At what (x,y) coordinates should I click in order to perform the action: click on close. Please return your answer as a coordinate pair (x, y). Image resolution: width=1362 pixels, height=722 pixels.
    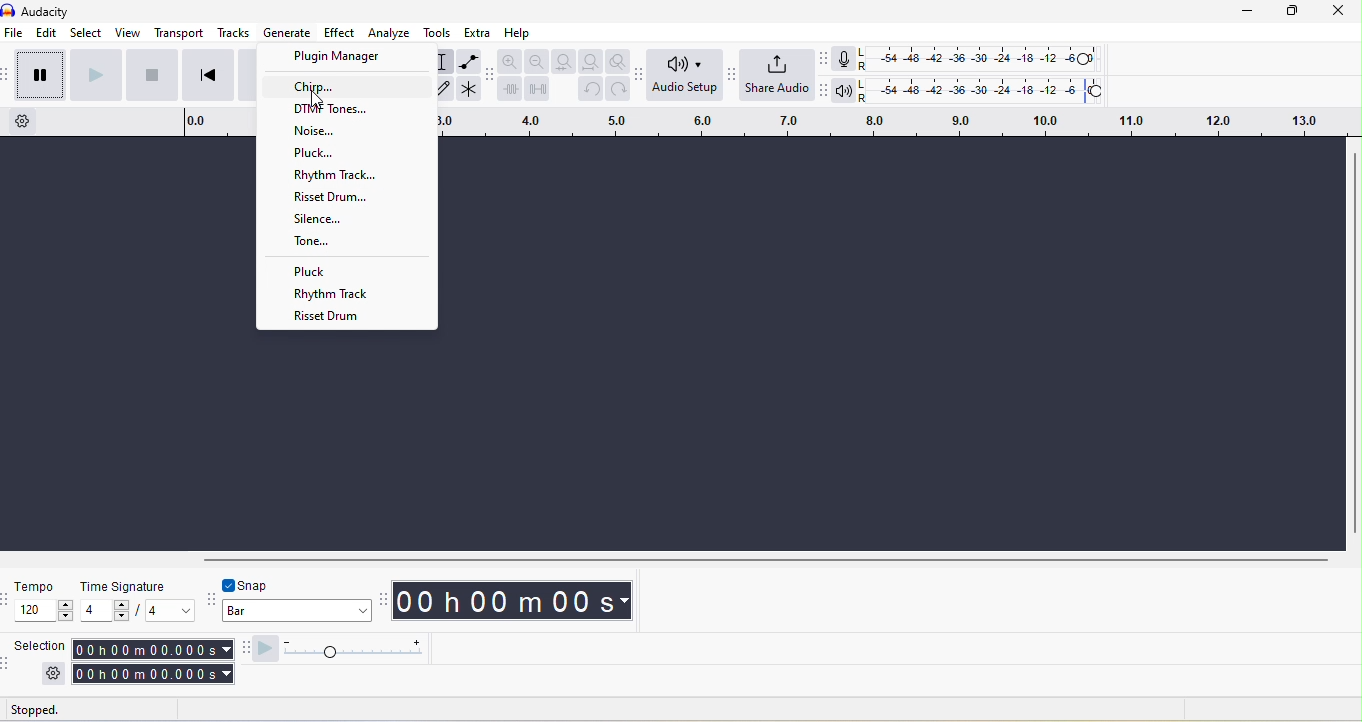
    Looking at the image, I should click on (1340, 12).